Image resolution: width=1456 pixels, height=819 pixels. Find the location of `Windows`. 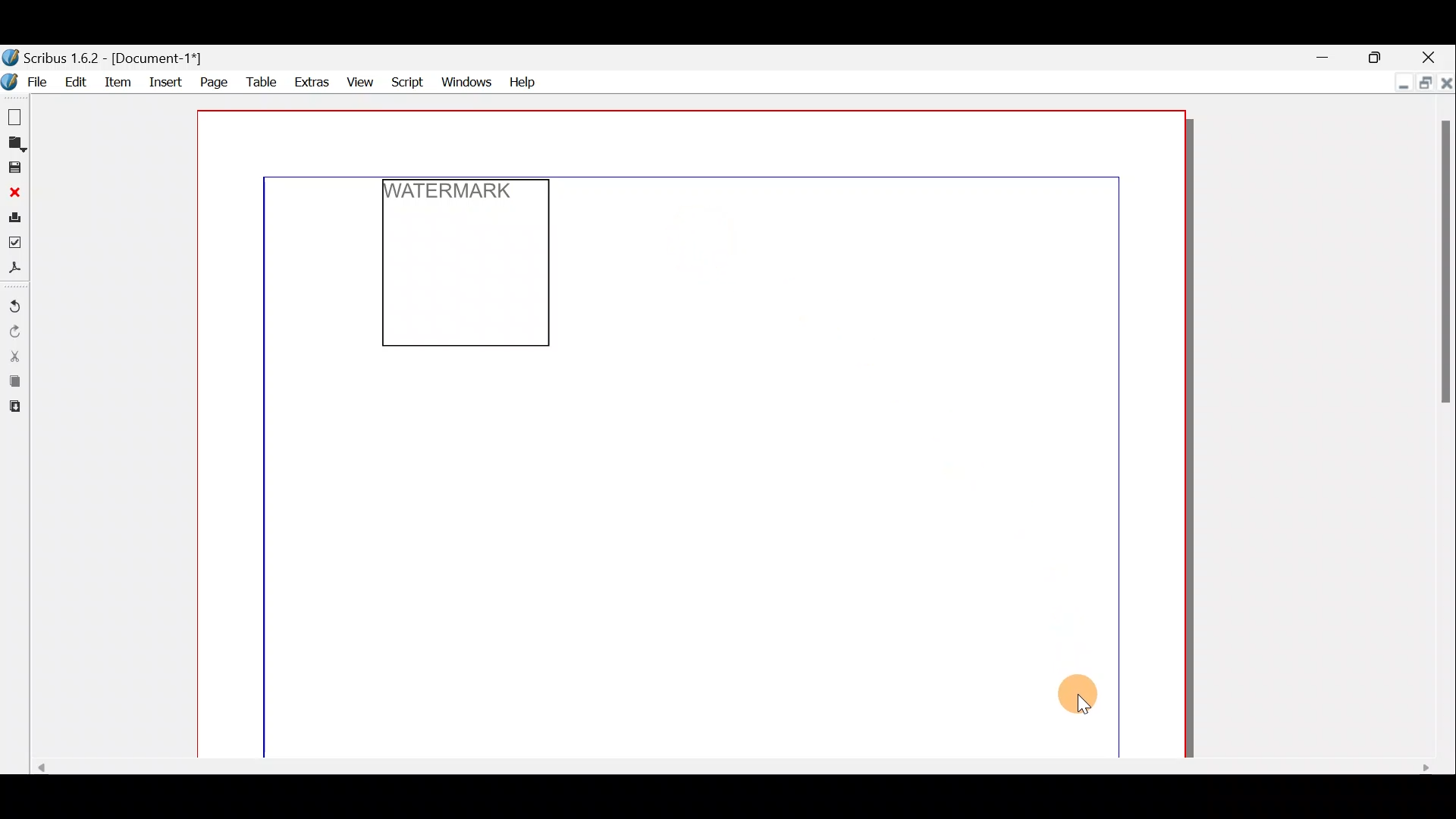

Windows is located at coordinates (466, 80).